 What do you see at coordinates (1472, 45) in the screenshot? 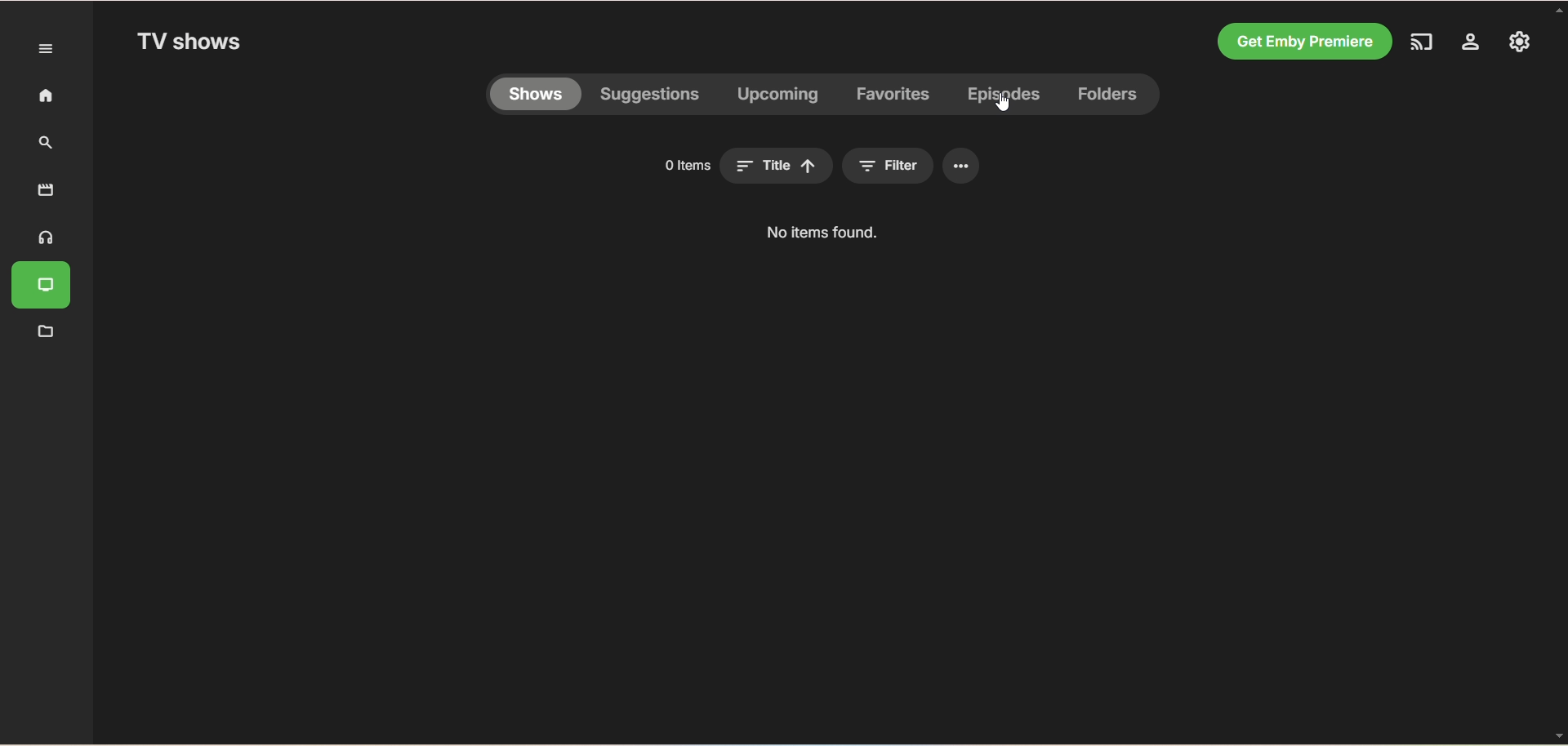
I see `settings` at bounding box center [1472, 45].